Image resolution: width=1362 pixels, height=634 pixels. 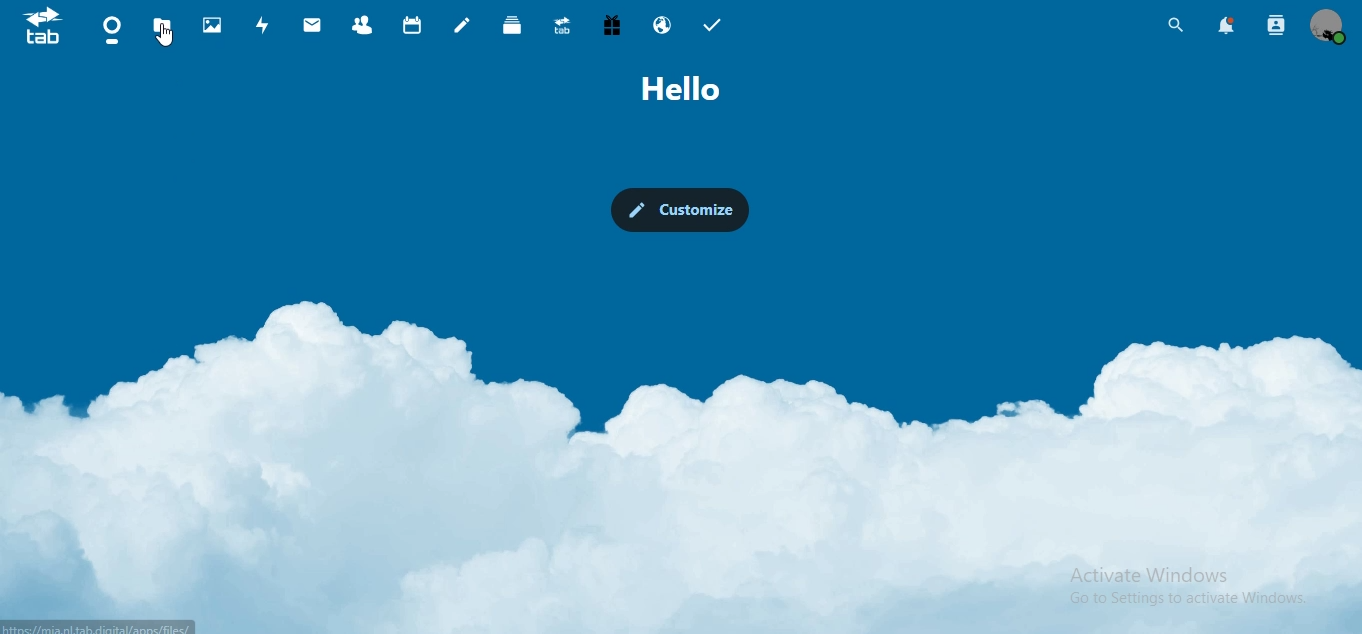 What do you see at coordinates (680, 83) in the screenshot?
I see `text` at bounding box center [680, 83].